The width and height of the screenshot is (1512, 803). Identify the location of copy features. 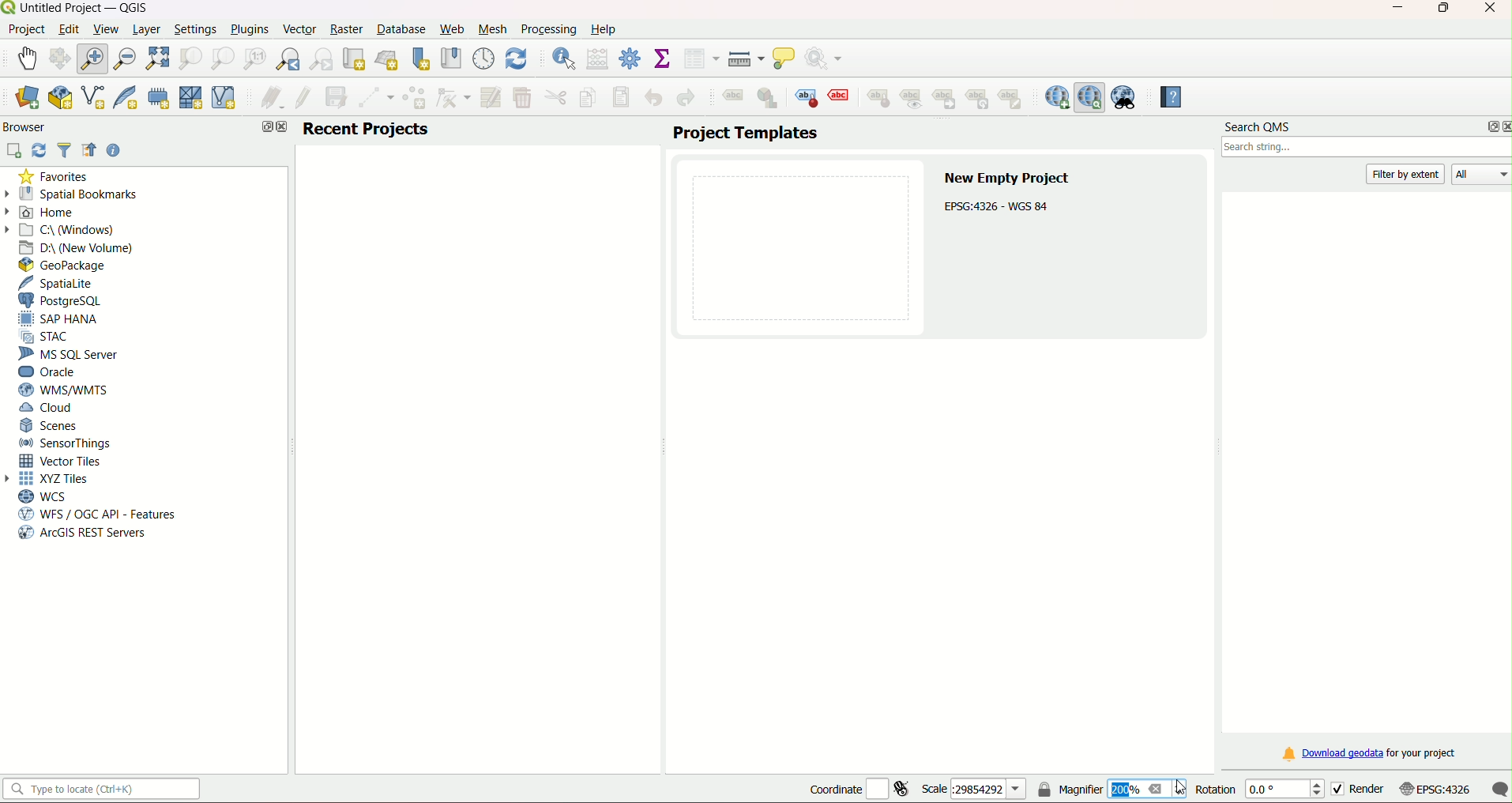
(587, 98).